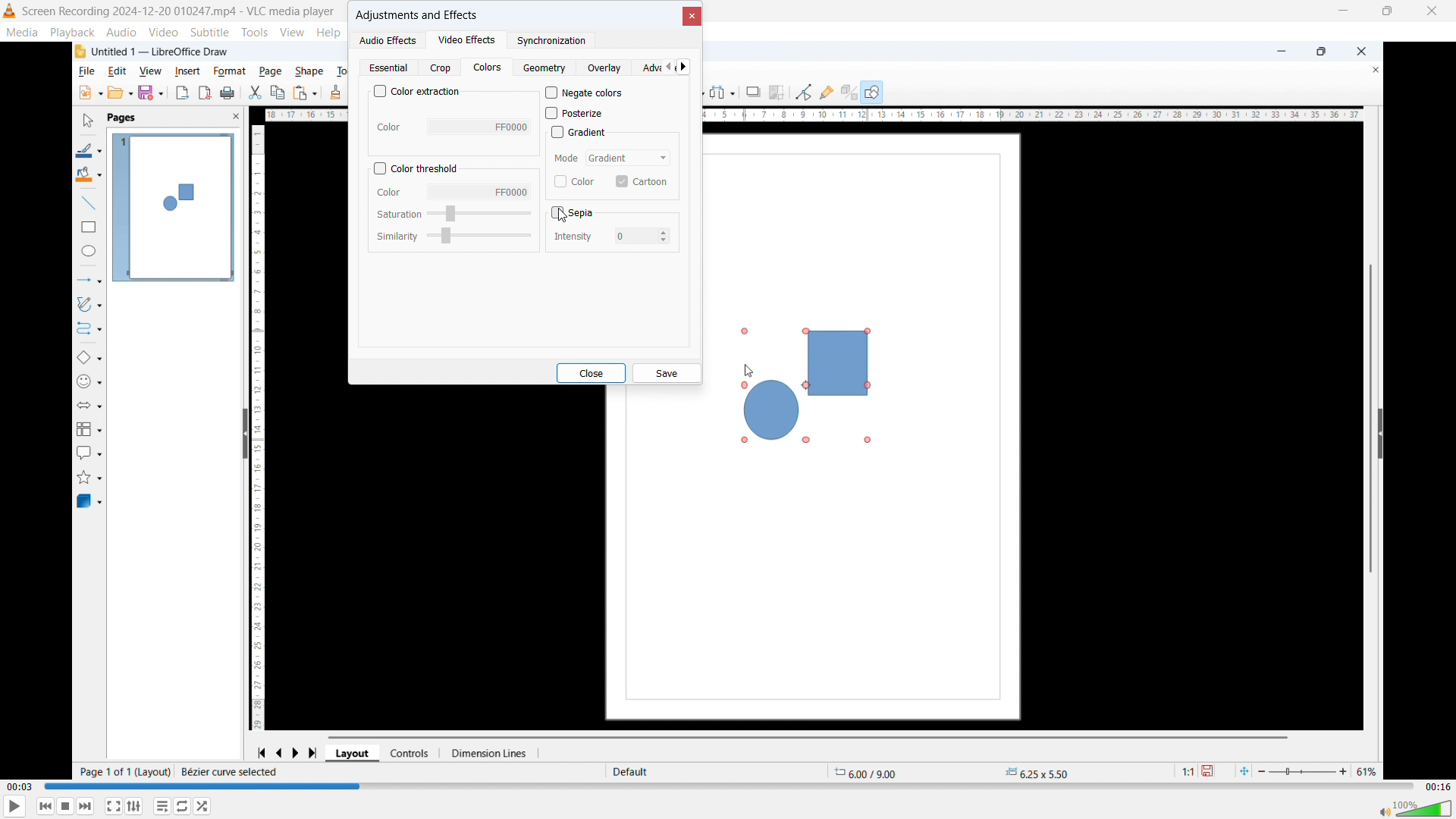 The image size is (1456, 819). Describe the element at coordinates (684, 66) in the screenshot. I see `Scroll right ` at that location.